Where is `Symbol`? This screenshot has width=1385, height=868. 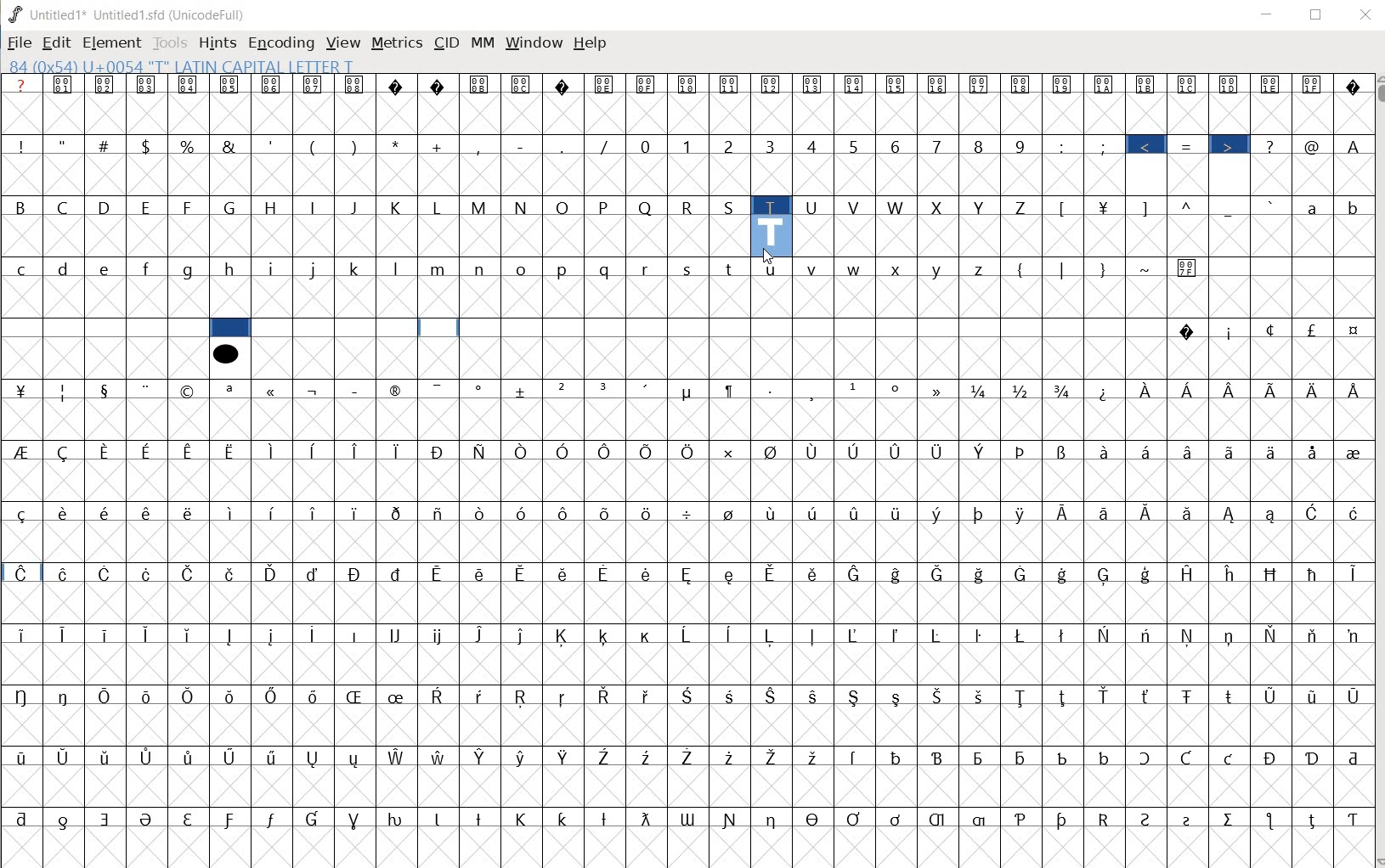
Symbol is located at coordinates (896, 635).